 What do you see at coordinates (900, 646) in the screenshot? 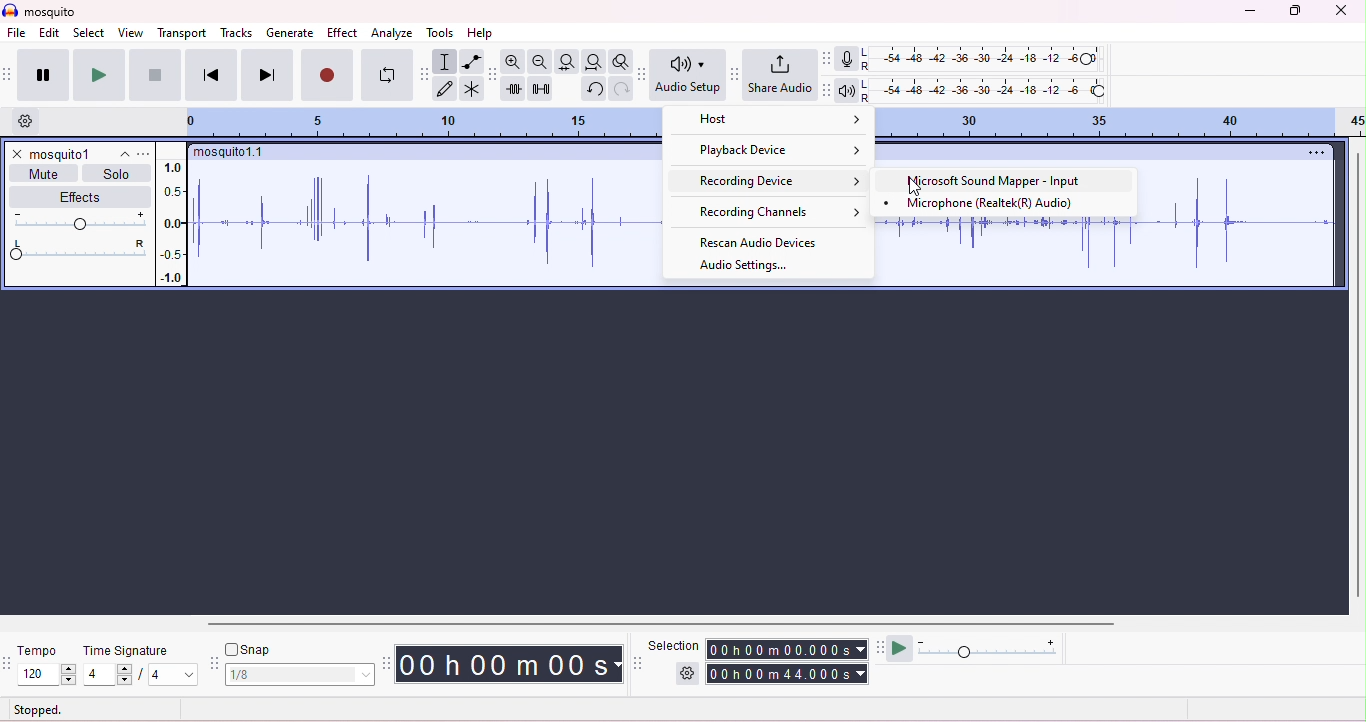
I see `play at speed/play at speed once` at bounding box center [900, 646].